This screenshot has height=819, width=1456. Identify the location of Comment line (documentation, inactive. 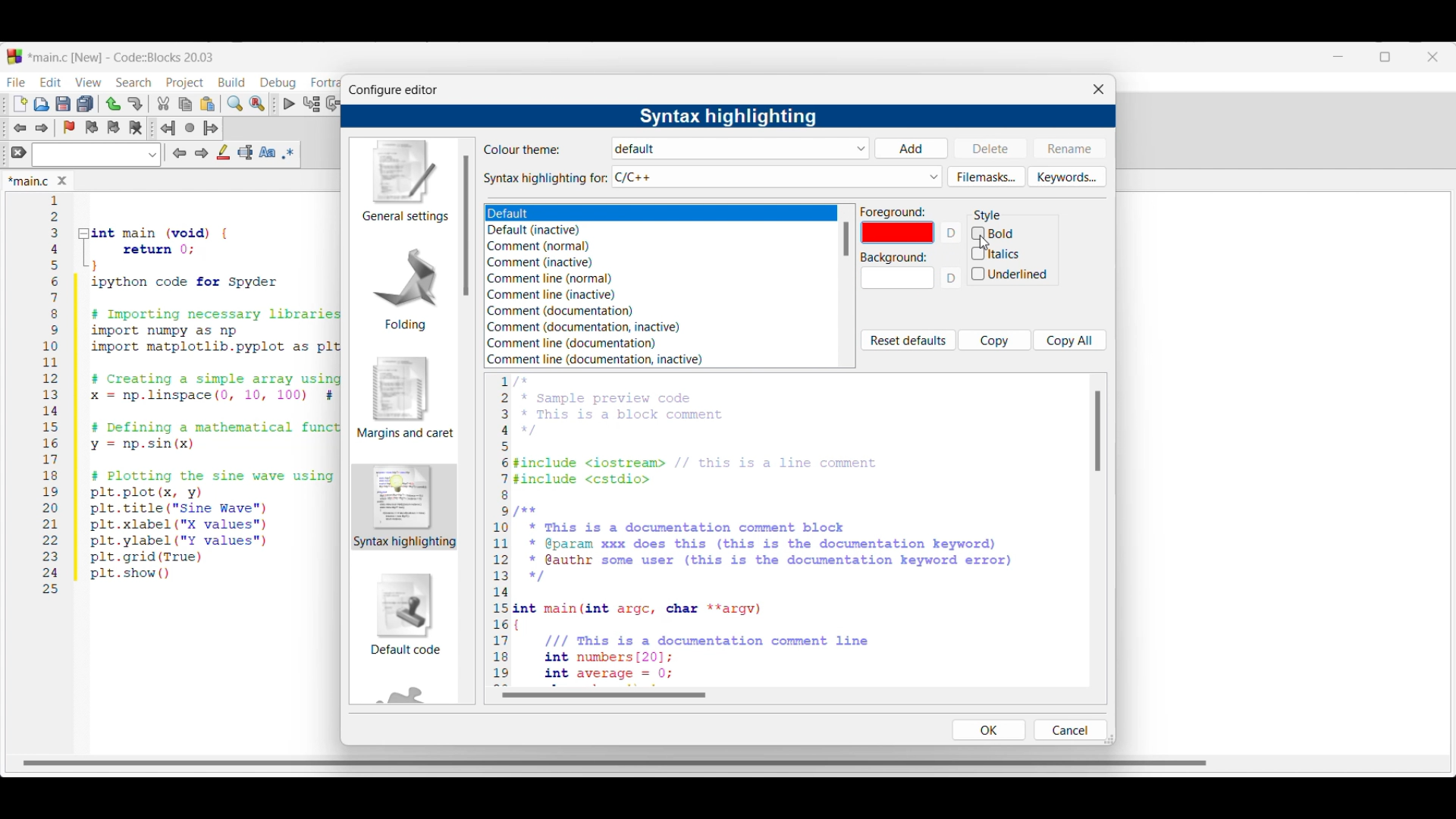
(595, 359).